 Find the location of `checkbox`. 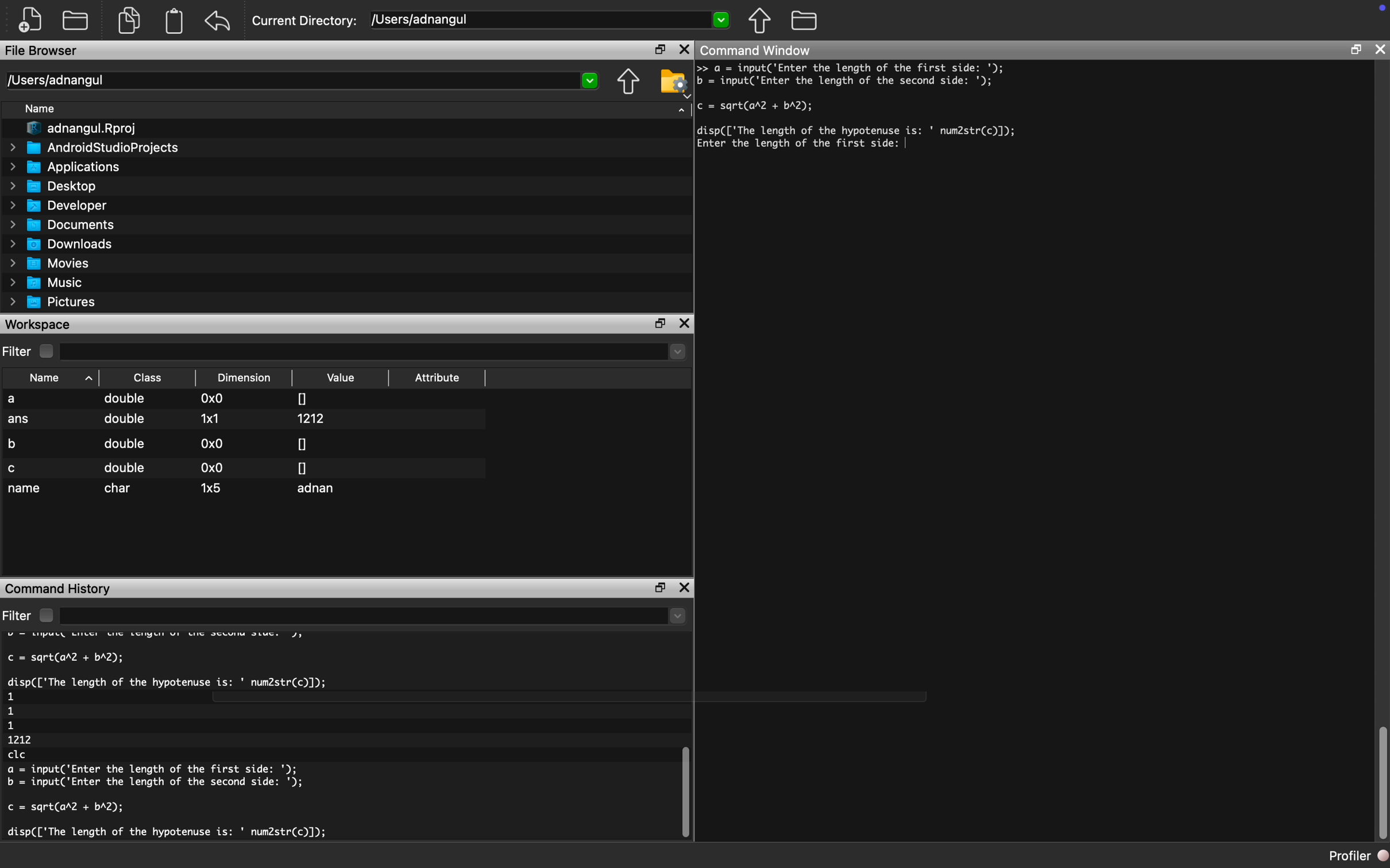

checkbox is located at coordinates (45, 615).